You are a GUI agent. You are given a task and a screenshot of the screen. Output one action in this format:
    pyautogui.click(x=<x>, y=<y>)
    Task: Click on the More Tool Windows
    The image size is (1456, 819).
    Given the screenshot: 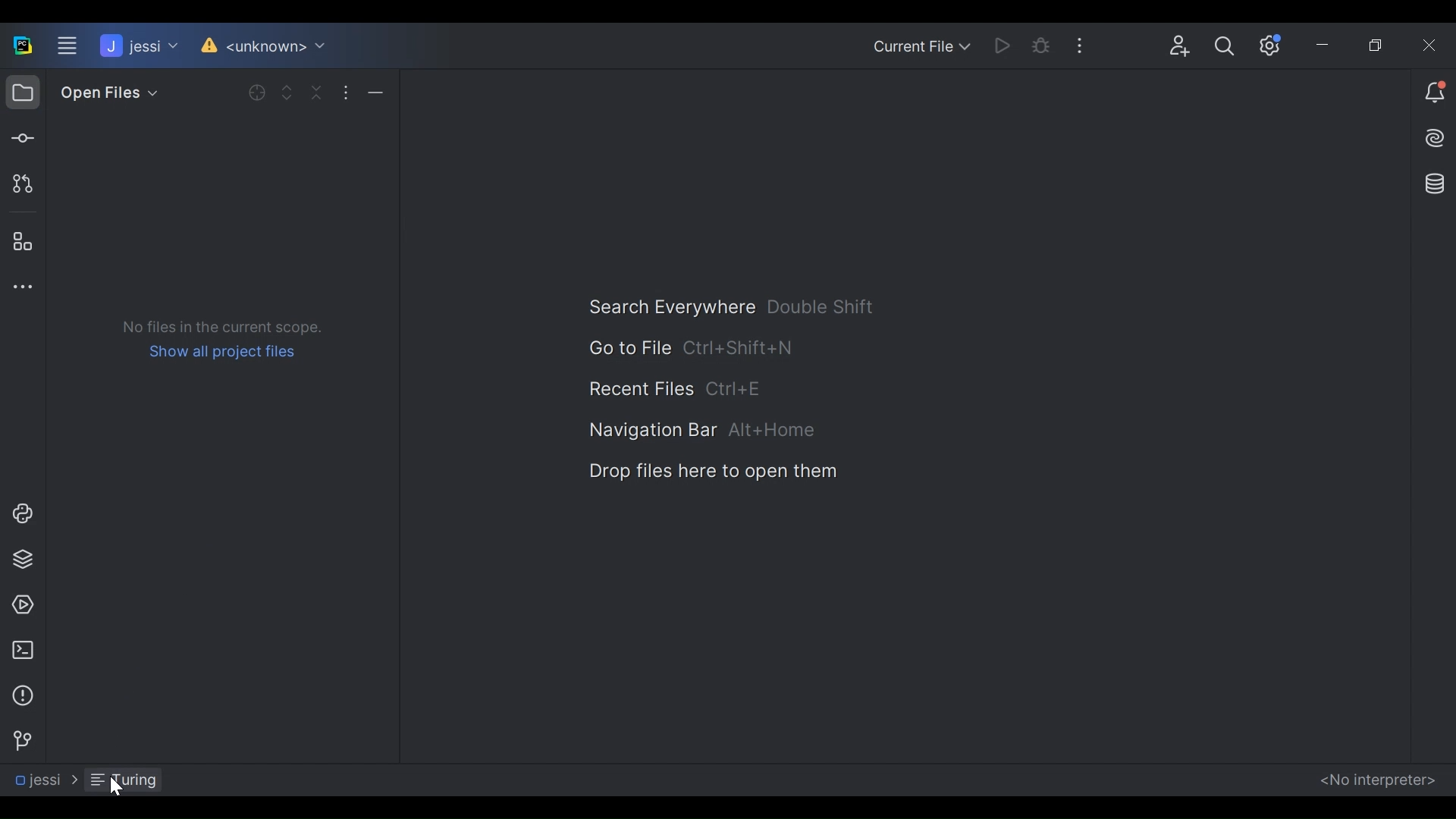 What is the action you would take?
    pyautogui.click(x=18, y=286)
    